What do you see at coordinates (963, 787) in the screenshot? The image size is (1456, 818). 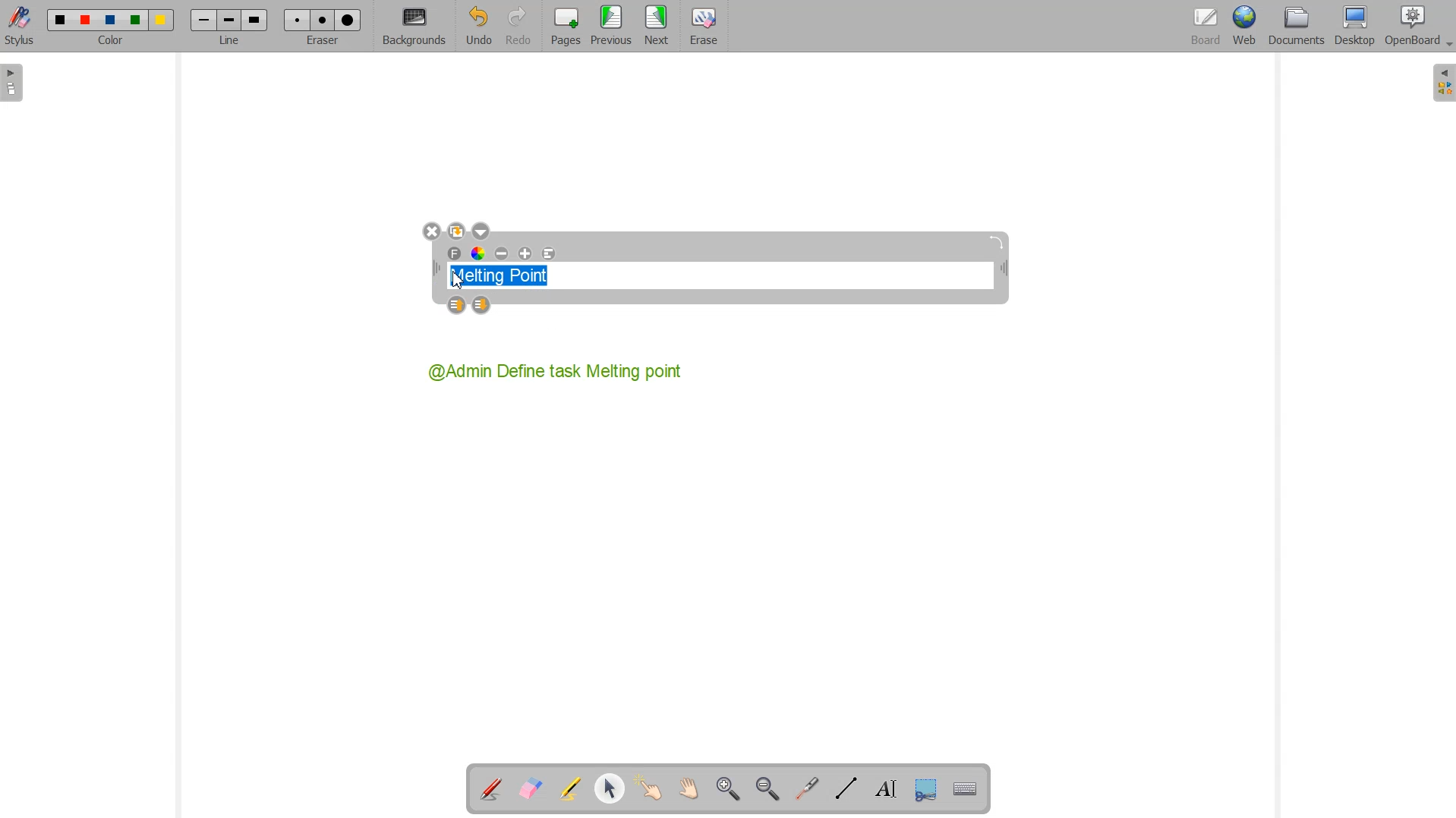 I see `Display virtual Keyboard` at bounding box center [963, 787].